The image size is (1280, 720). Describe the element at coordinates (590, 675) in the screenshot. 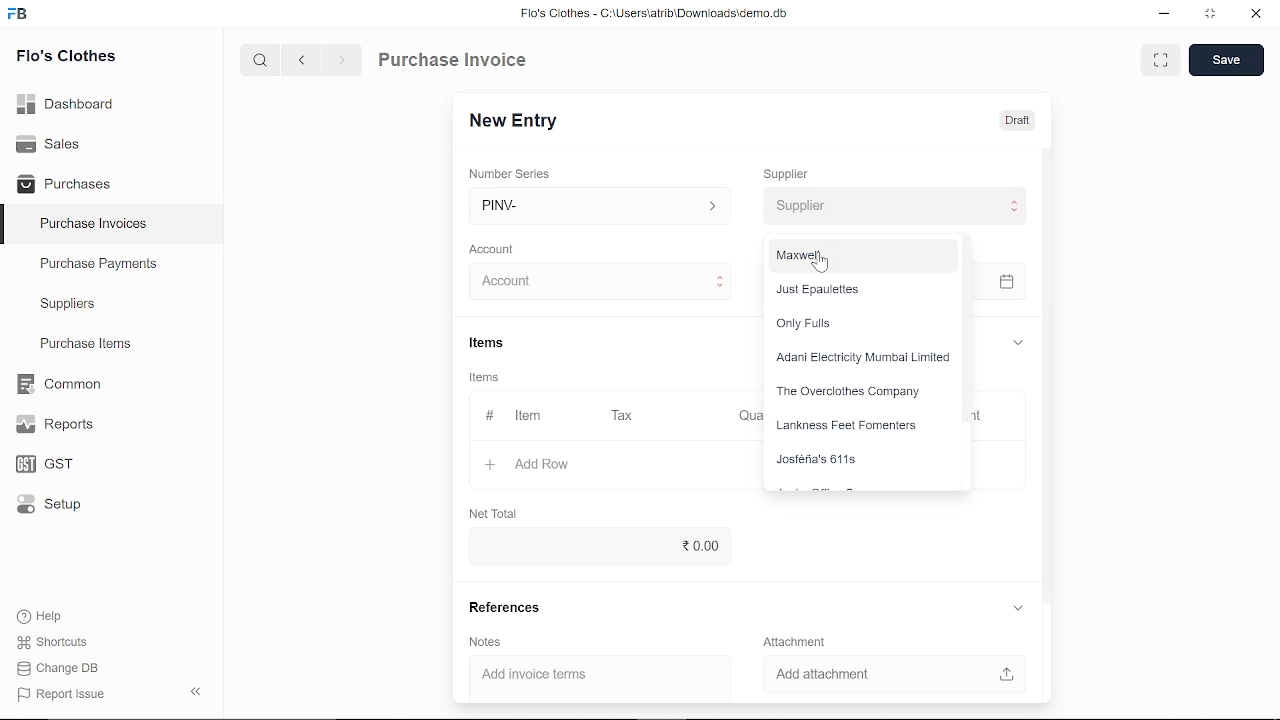

I see `Add invoice terms` at that location.